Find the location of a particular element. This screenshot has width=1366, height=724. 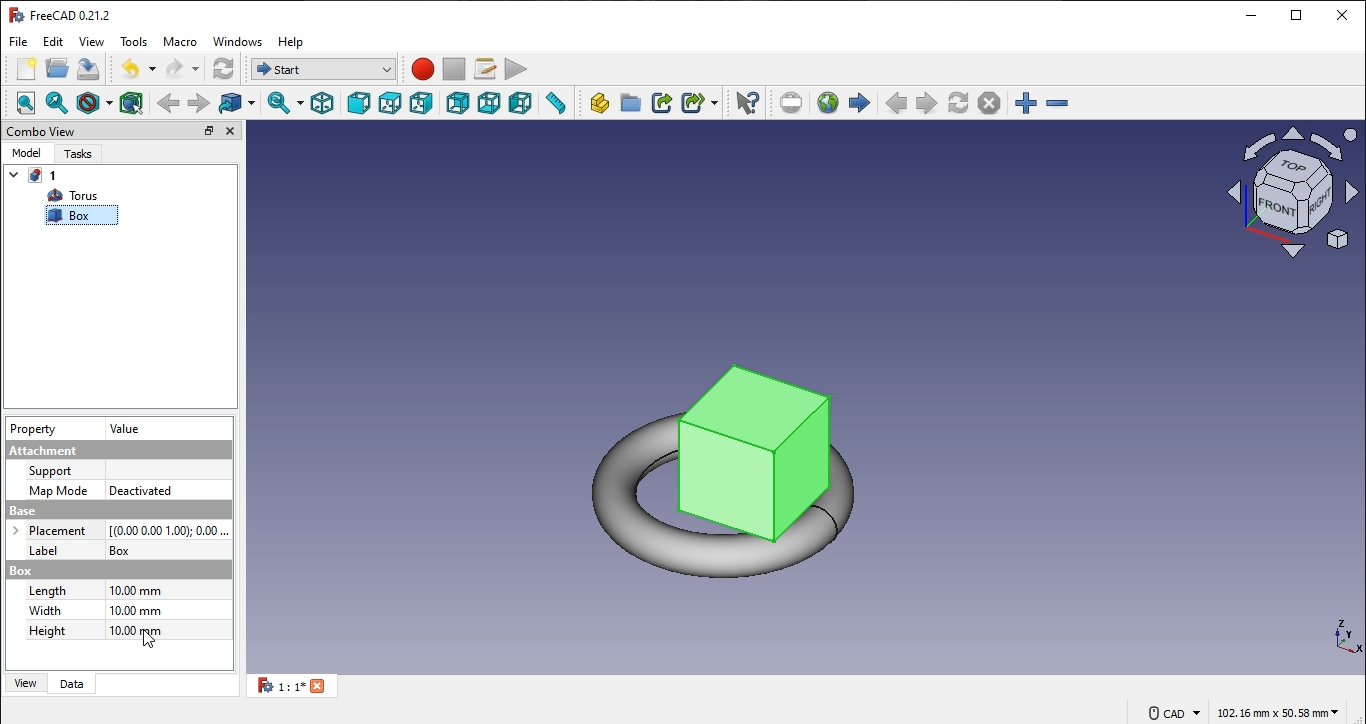

coordinate directional axis icon is located at coordinates (1350, 638).